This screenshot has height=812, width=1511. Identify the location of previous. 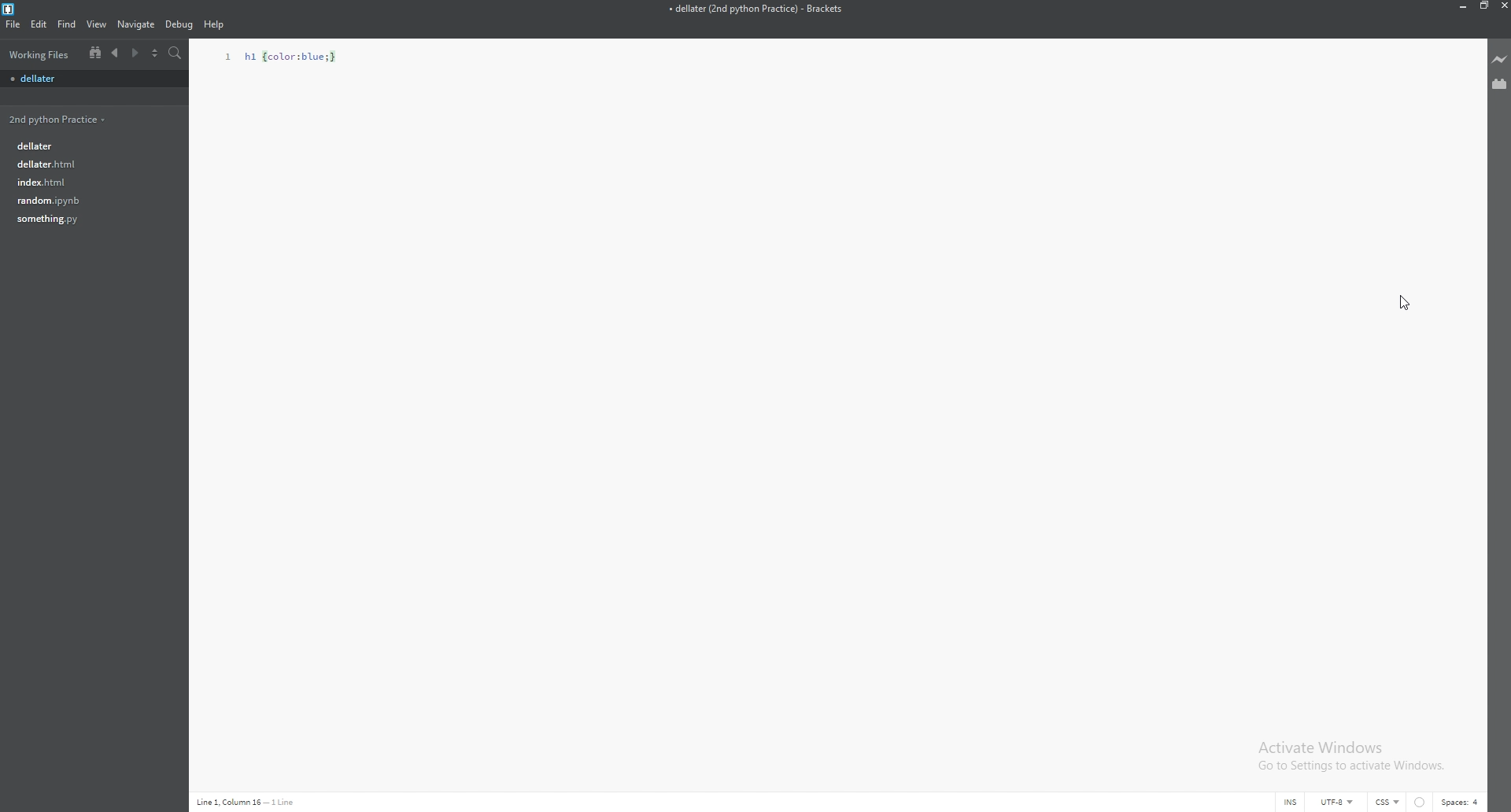
(116, 54).